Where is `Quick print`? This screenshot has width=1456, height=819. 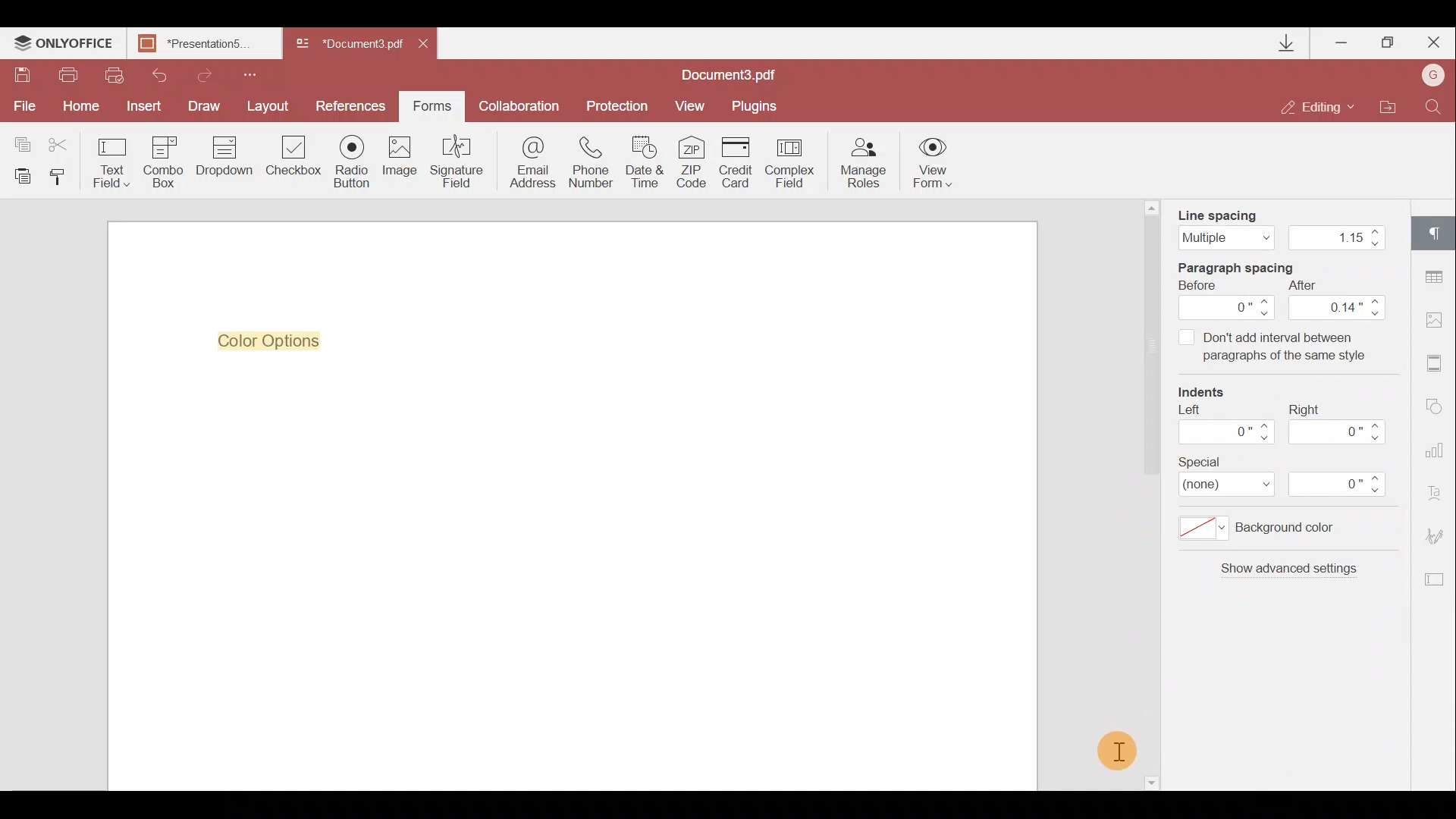 Quick print is located at coordinates (115, 75).